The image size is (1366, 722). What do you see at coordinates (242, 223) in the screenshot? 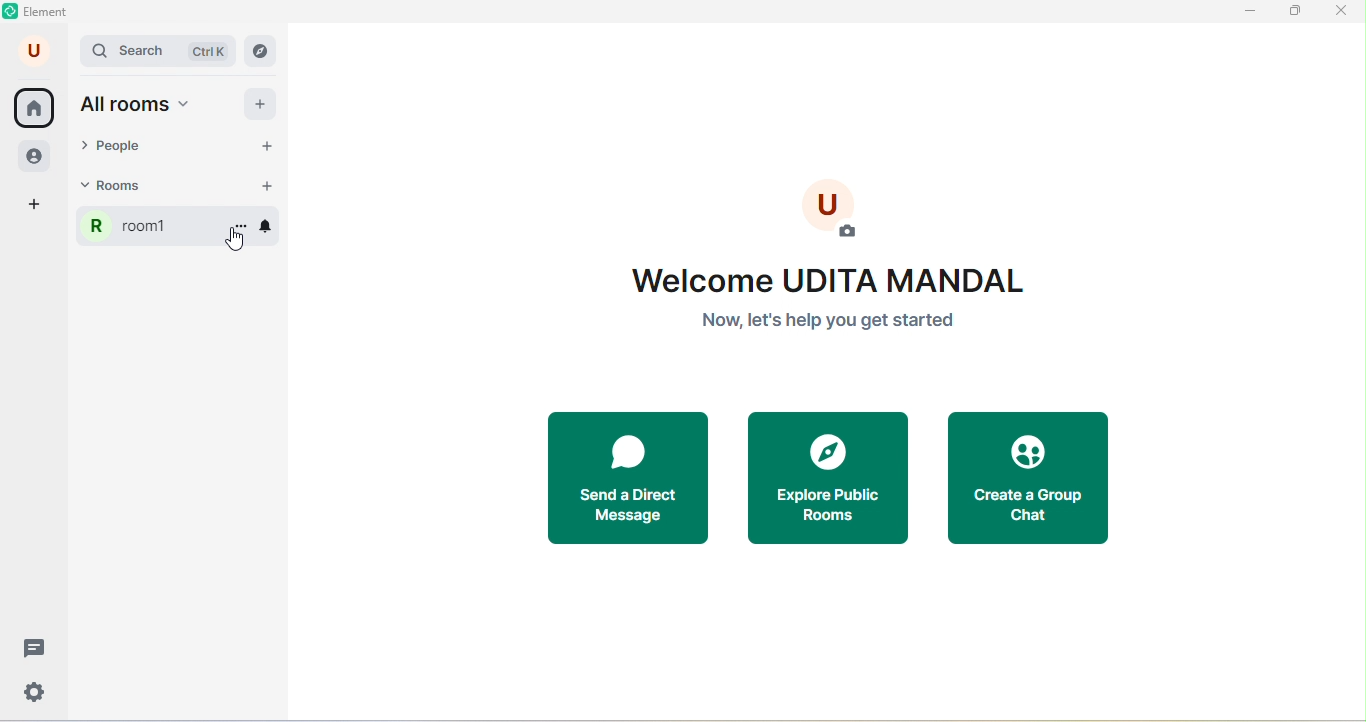
I see `options` at bounding box center [242, 223].